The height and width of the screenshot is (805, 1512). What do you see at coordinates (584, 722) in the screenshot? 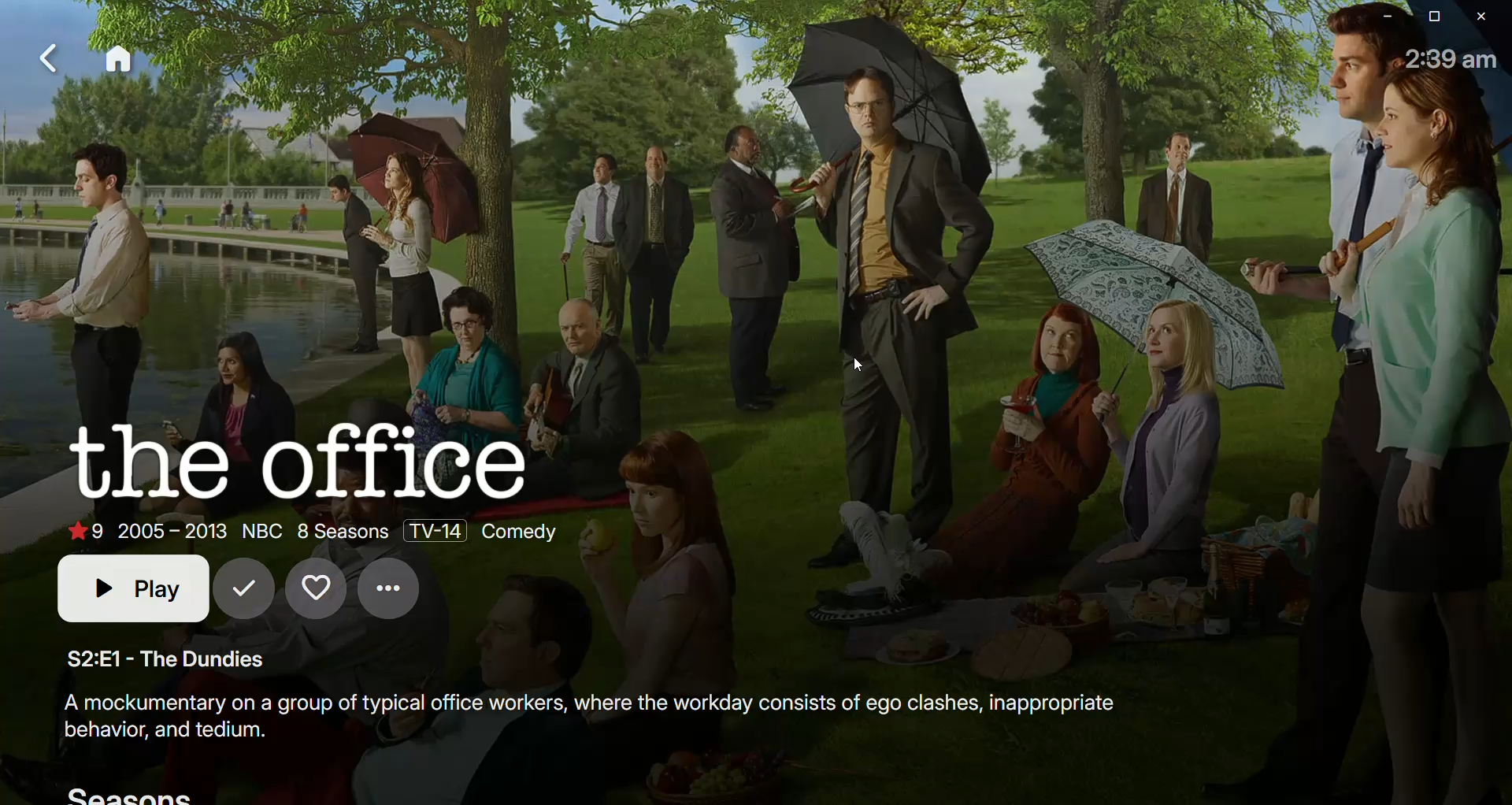
I see `Synopsis` at bounding box center [584, 722].